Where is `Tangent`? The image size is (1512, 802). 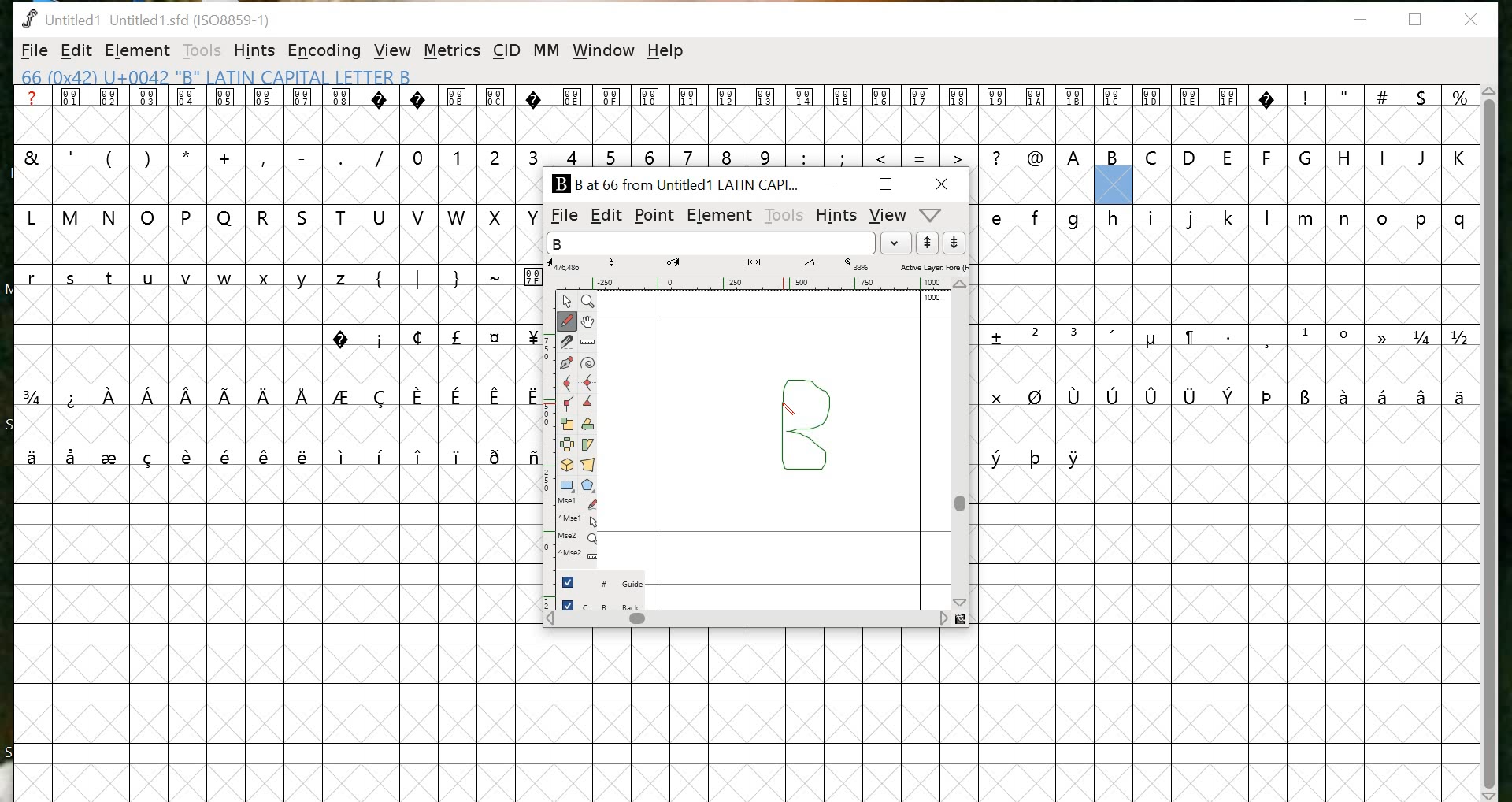 Tangent is located at coordinates (591, 405).